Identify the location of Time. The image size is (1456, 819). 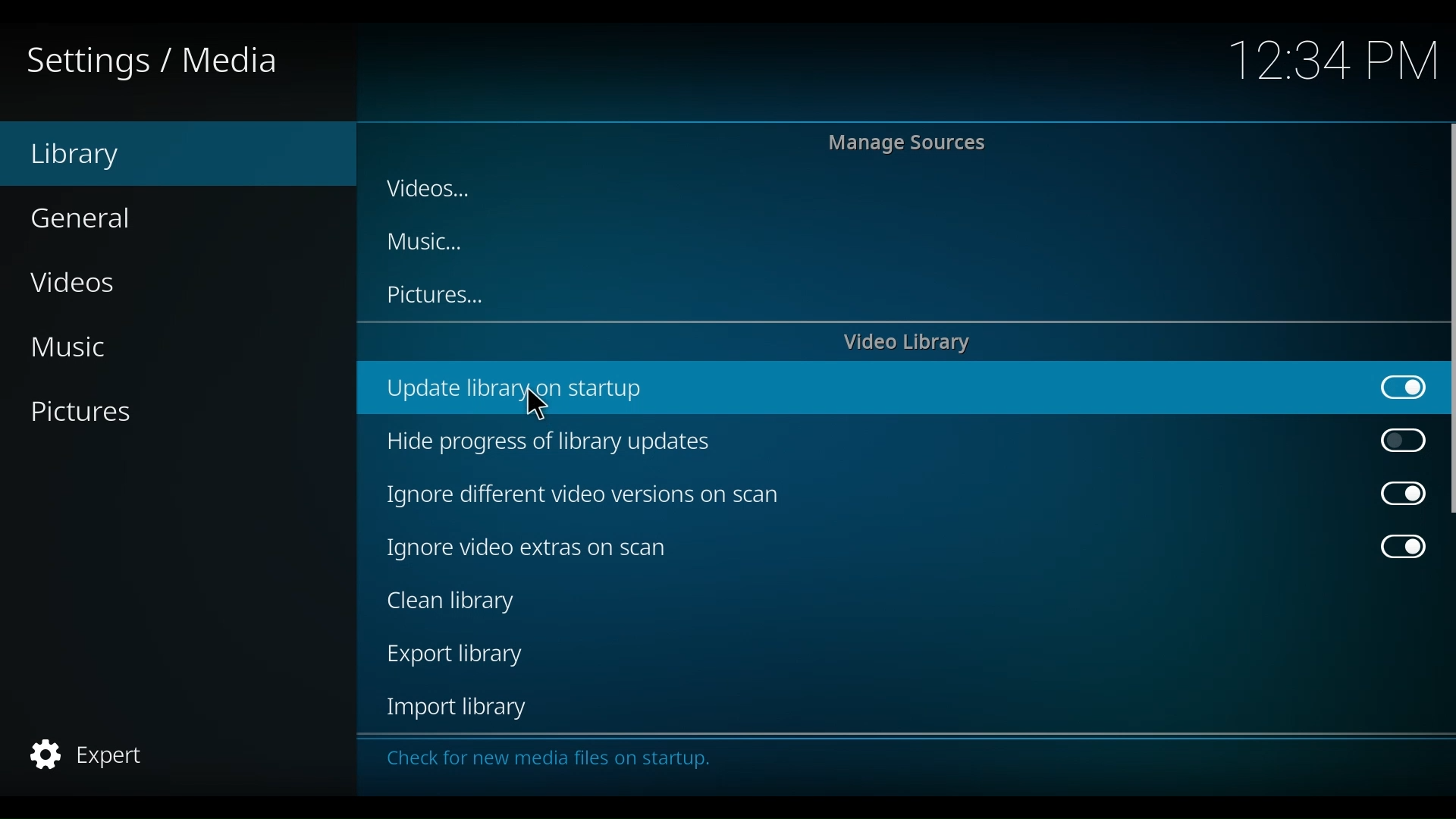
(1332, 61).